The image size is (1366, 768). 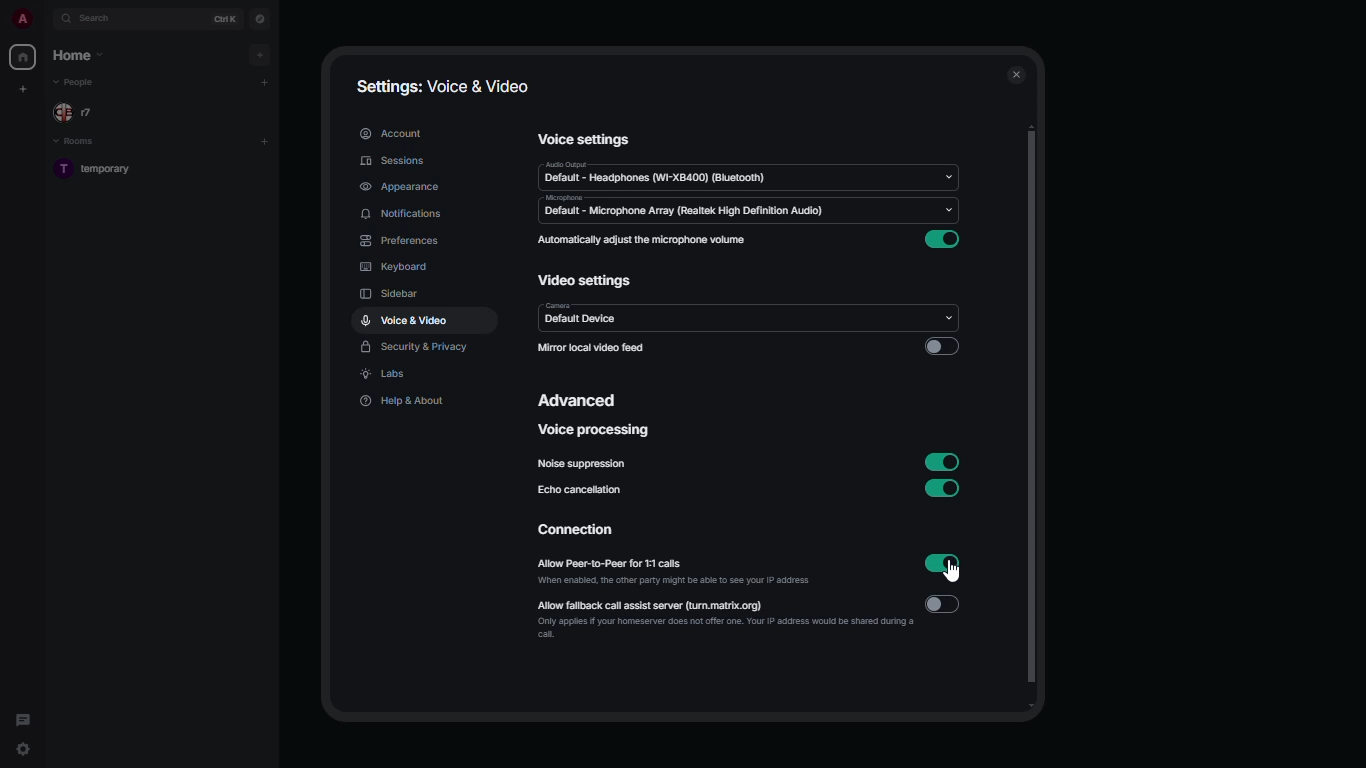 What do you see at coordinates (677, 605) in the screenshot?
I see `allow fallback call assist server` at bounding box center [677, 605].